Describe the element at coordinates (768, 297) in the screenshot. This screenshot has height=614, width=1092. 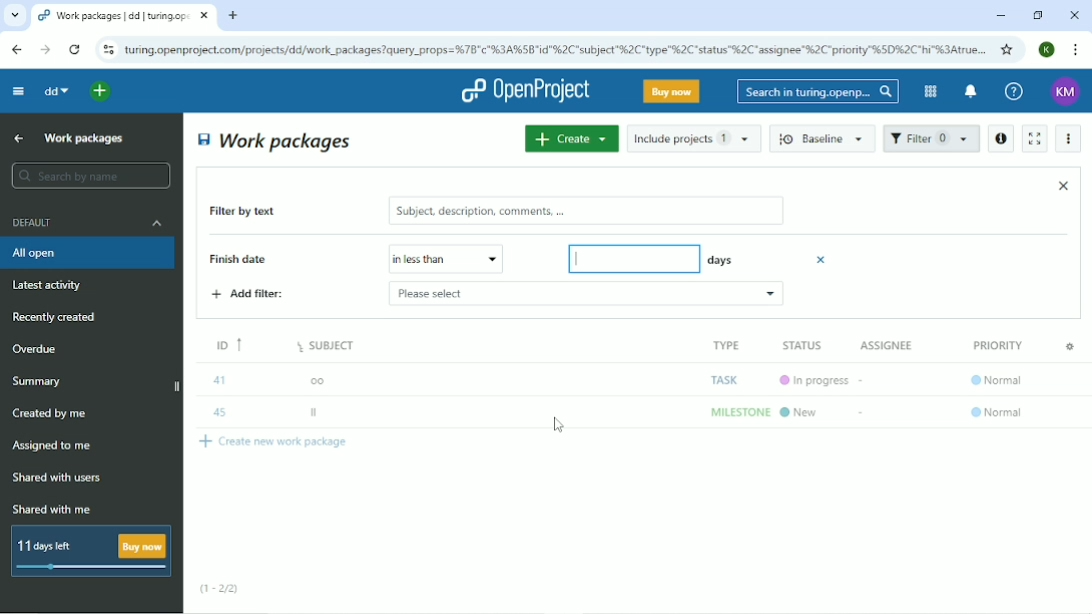
I see `cdrop down menu` at that location.